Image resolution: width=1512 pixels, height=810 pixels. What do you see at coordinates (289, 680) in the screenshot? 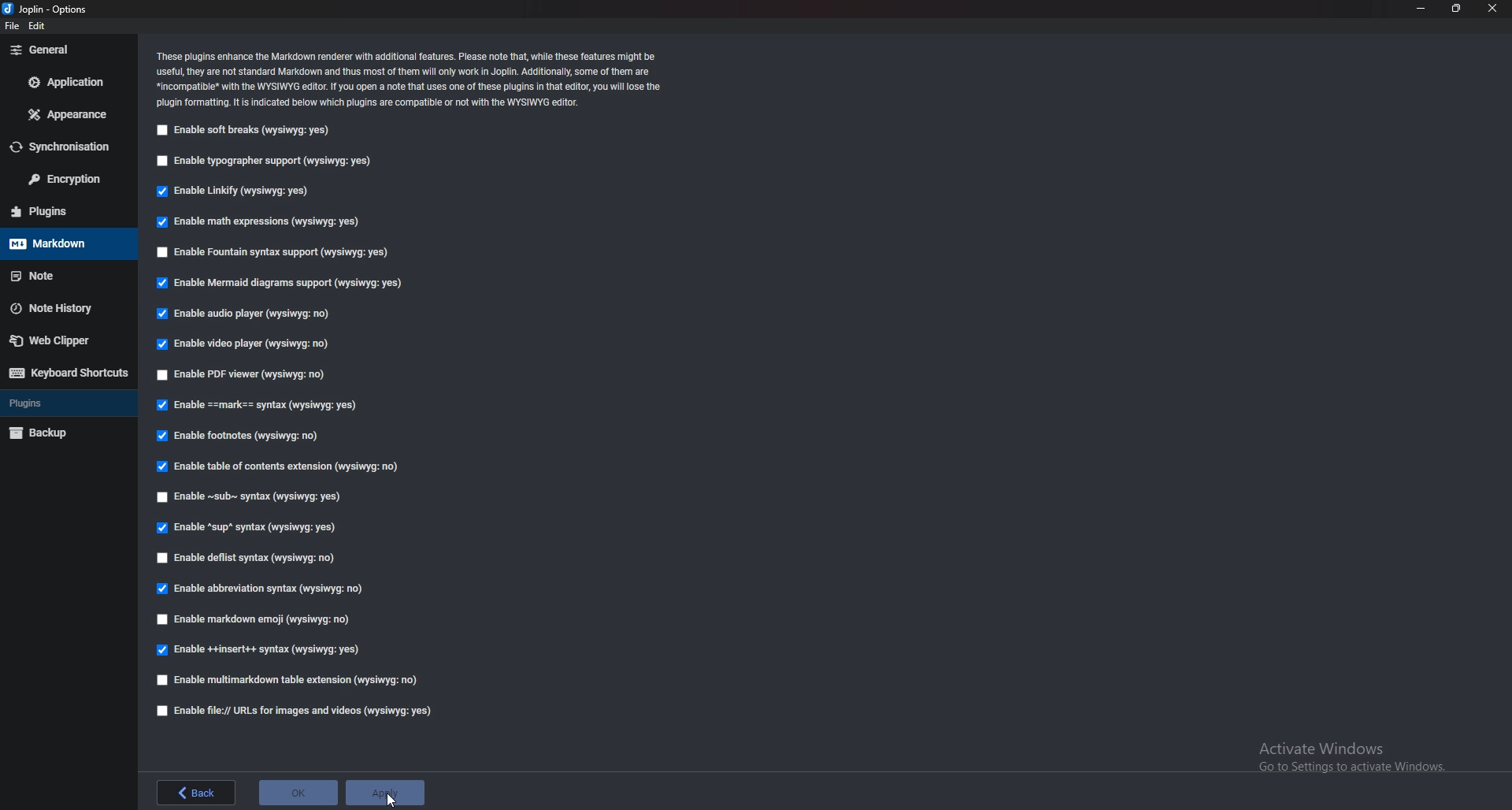
I see `Enable multi markdown table extension` at bounding box center [289, 680].